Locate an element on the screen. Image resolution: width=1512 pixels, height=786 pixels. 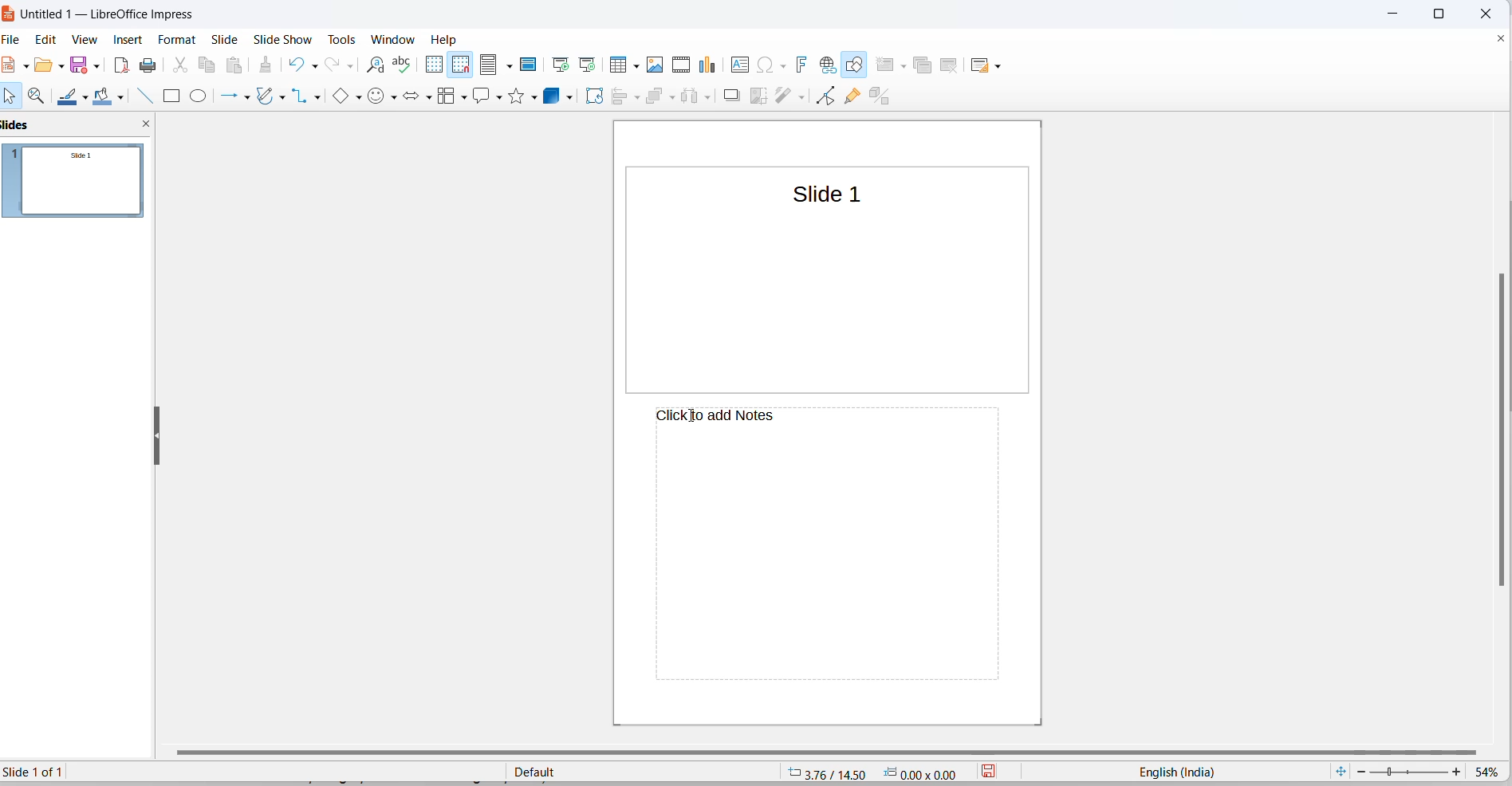
line colors is located at coordinates (69, 98).